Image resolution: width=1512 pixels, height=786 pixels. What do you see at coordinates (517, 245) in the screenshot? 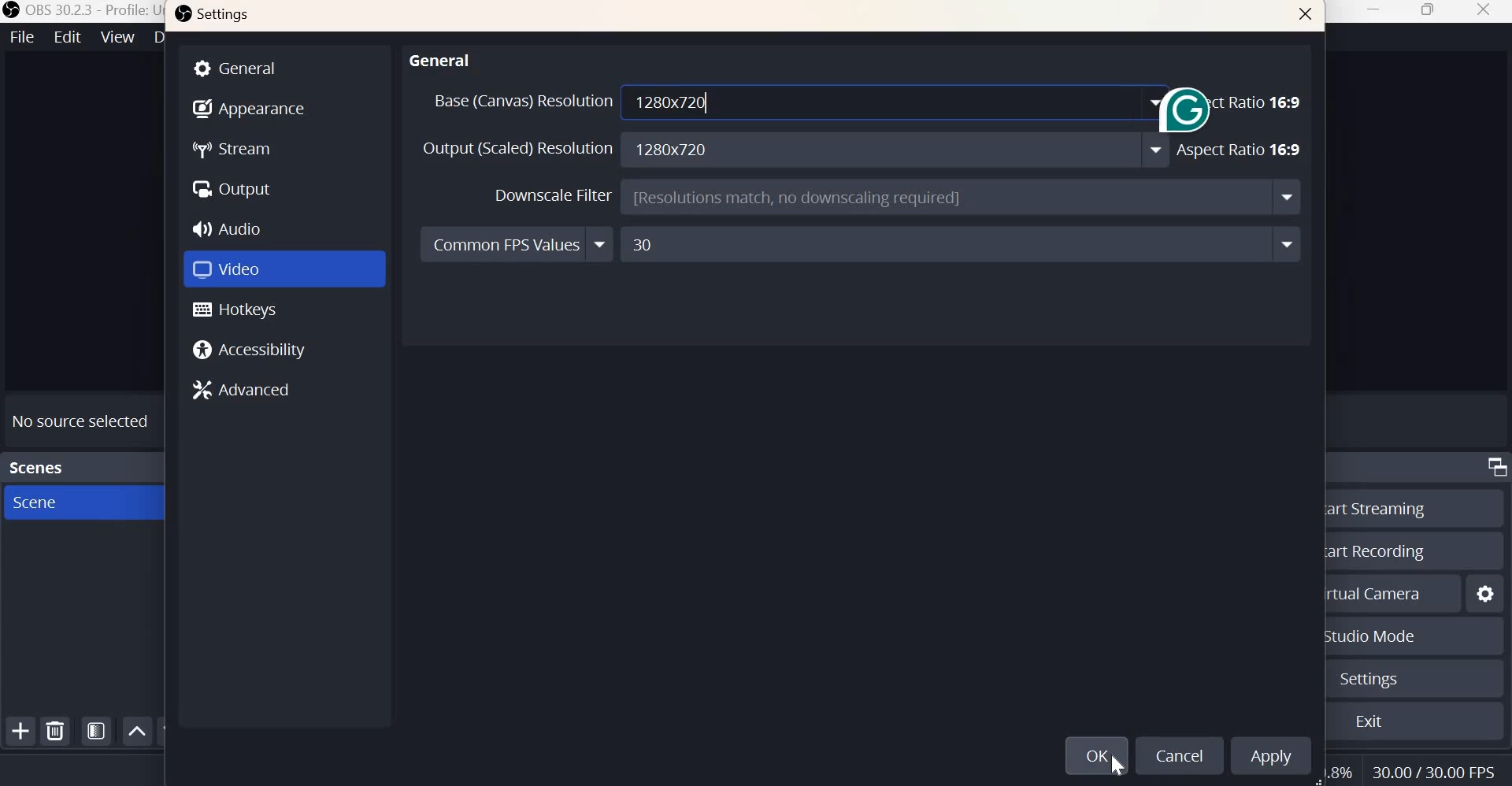
I see `Common FPS values` at bounding box center [517, 245].